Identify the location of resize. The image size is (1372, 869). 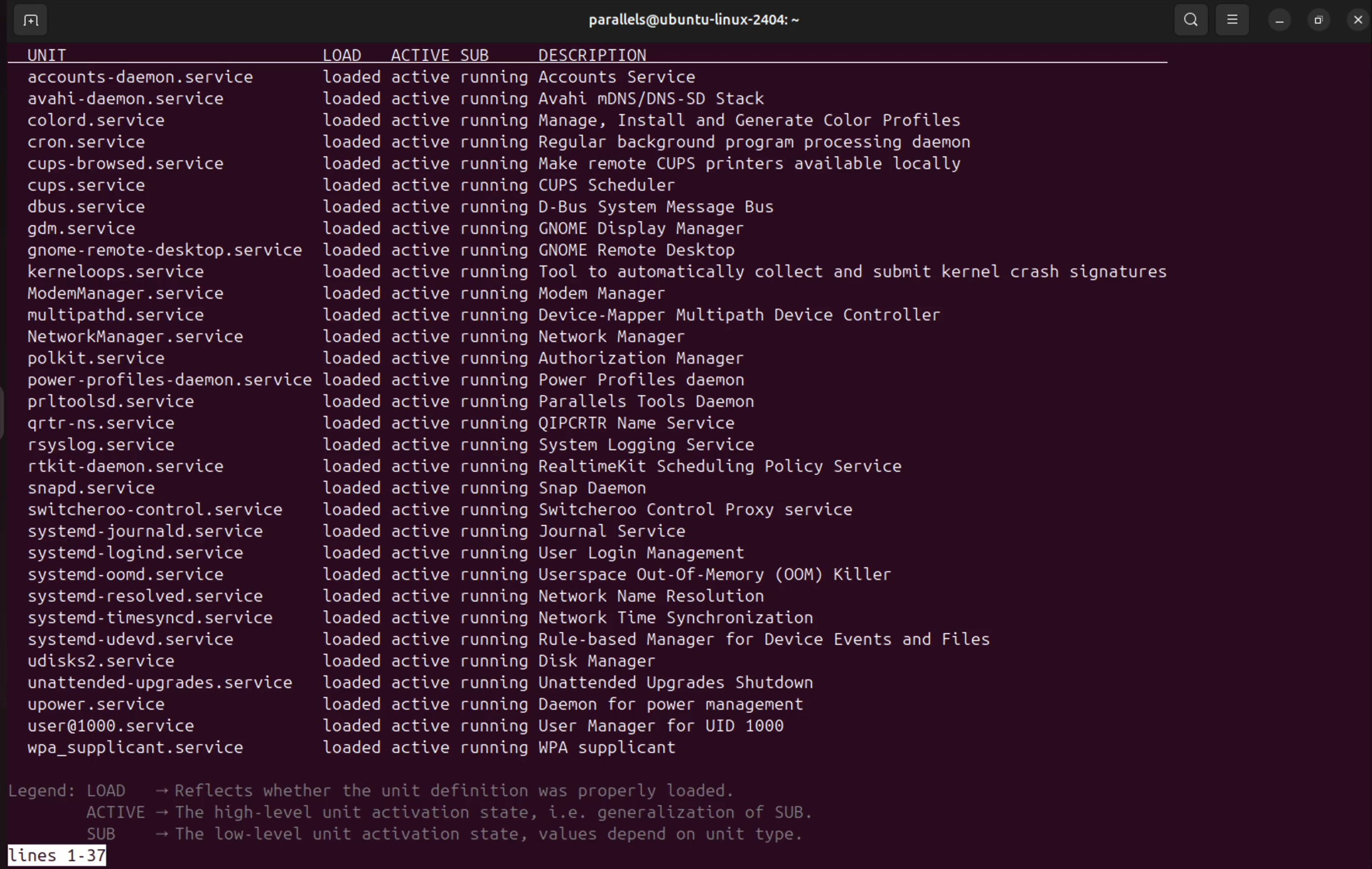
(1317, 19).